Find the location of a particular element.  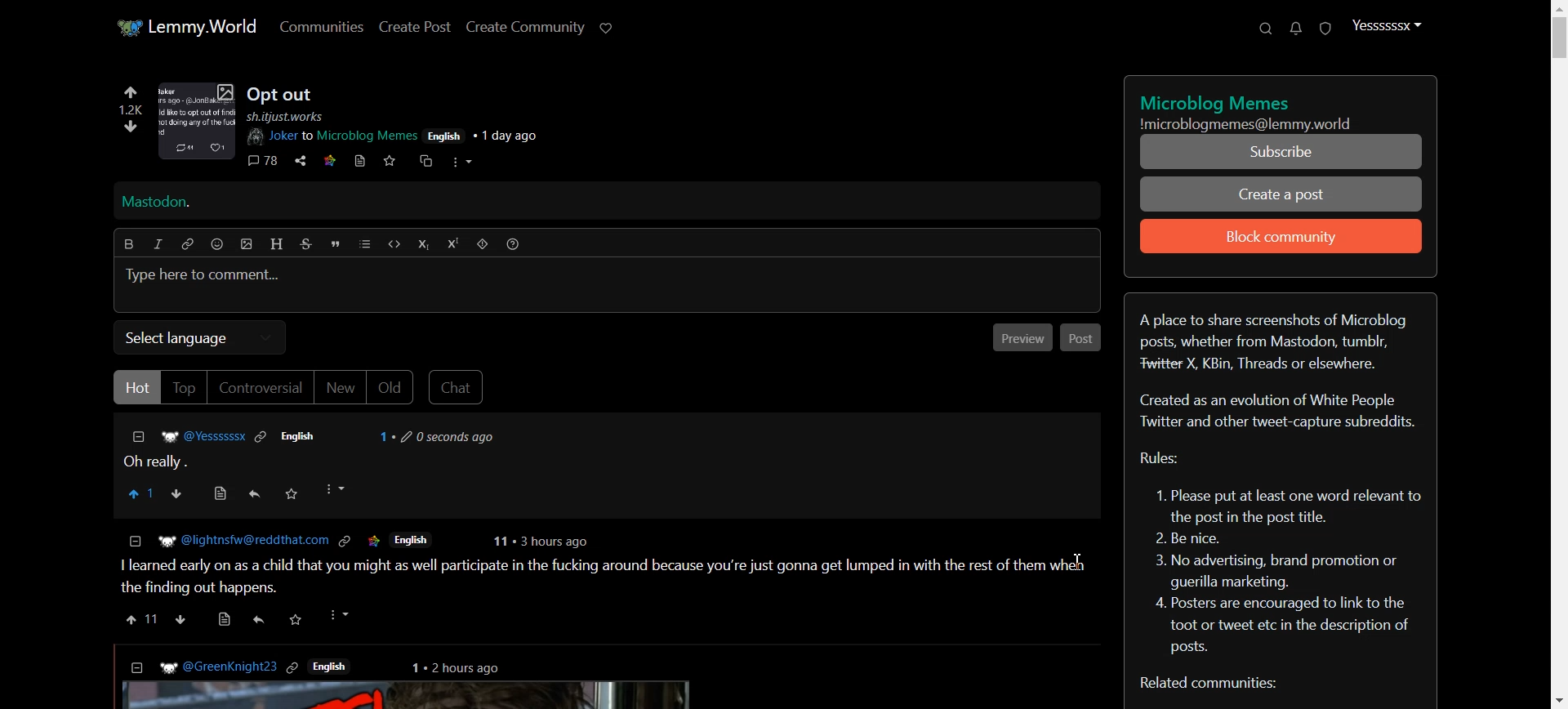

Controversial  is located at coordinates (261, 388).